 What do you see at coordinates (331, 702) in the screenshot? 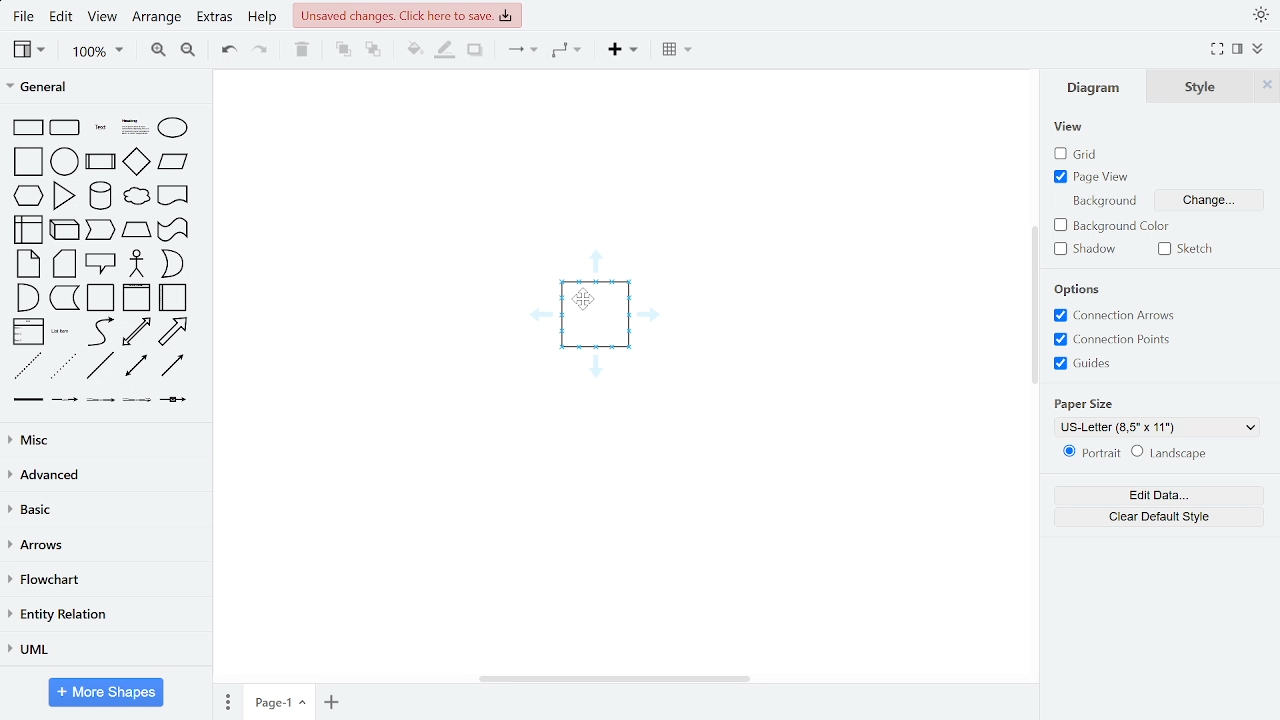
I see `add page` at bounding box center [331, 702].